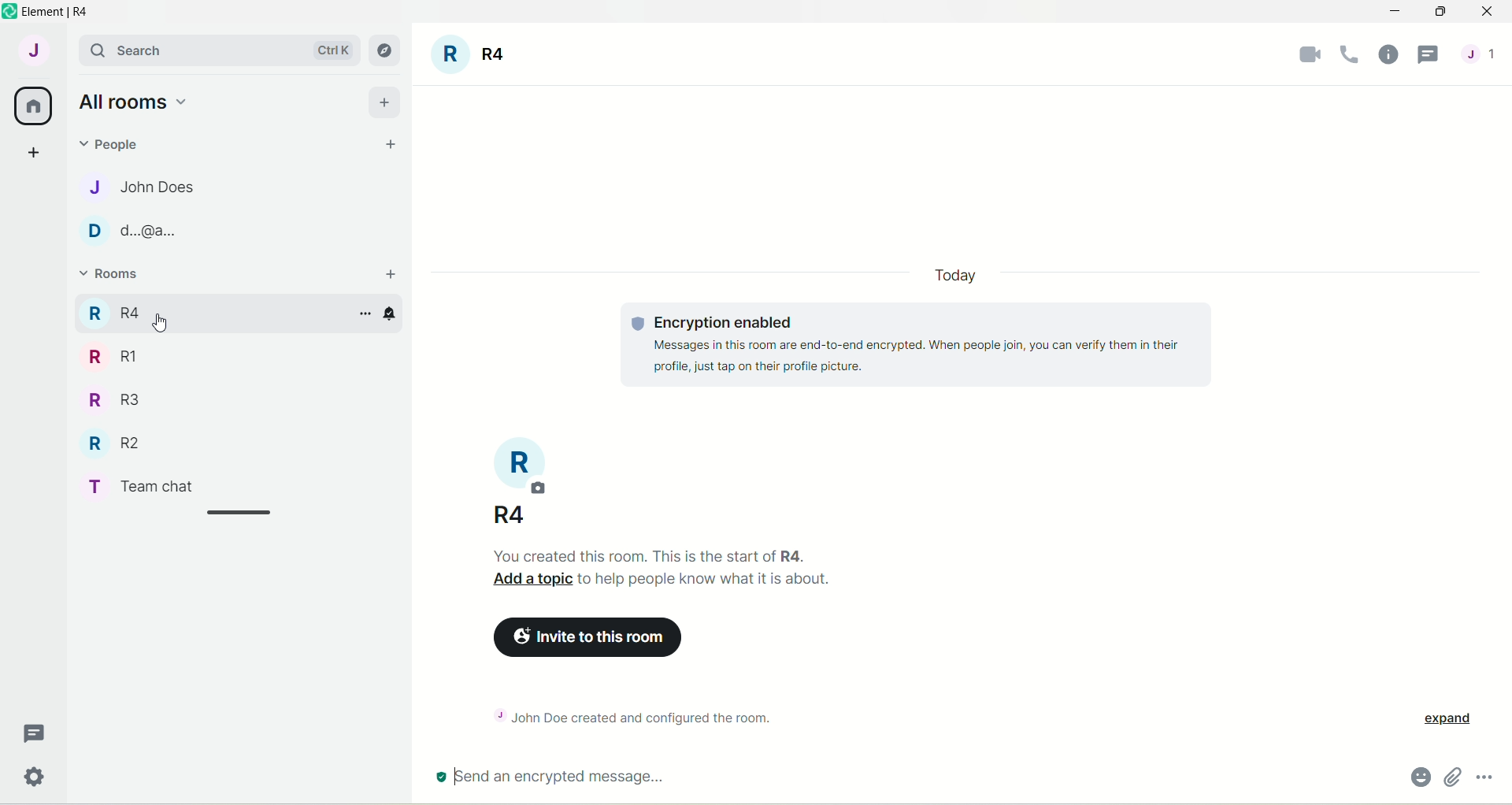  Describe the element at coordinates (241, 514) in the screenshot. I see `Scrollbar` at that location.